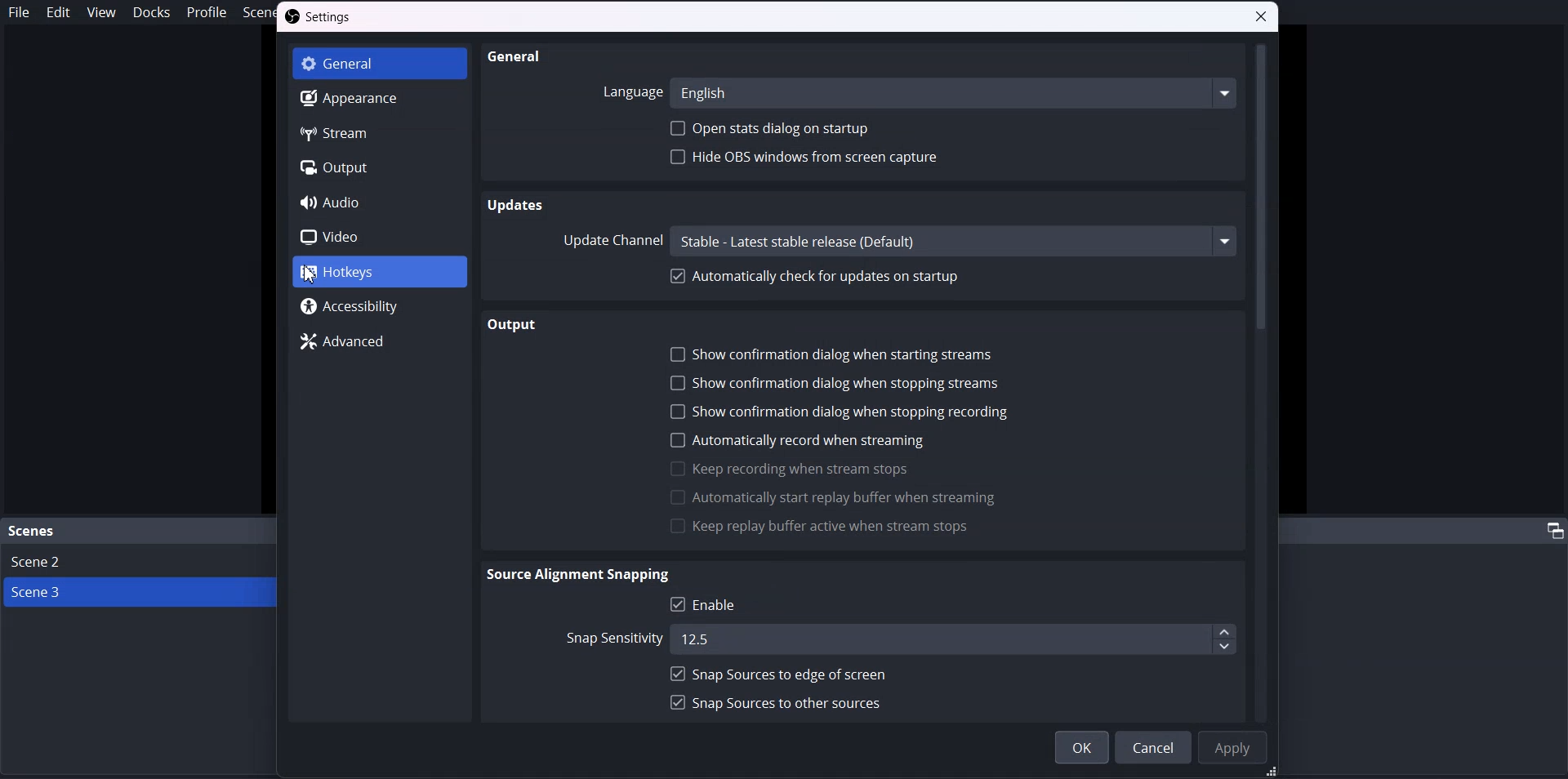 This screenshot has height=779, width=1568. I want to click on Docks, so click(151, 12).